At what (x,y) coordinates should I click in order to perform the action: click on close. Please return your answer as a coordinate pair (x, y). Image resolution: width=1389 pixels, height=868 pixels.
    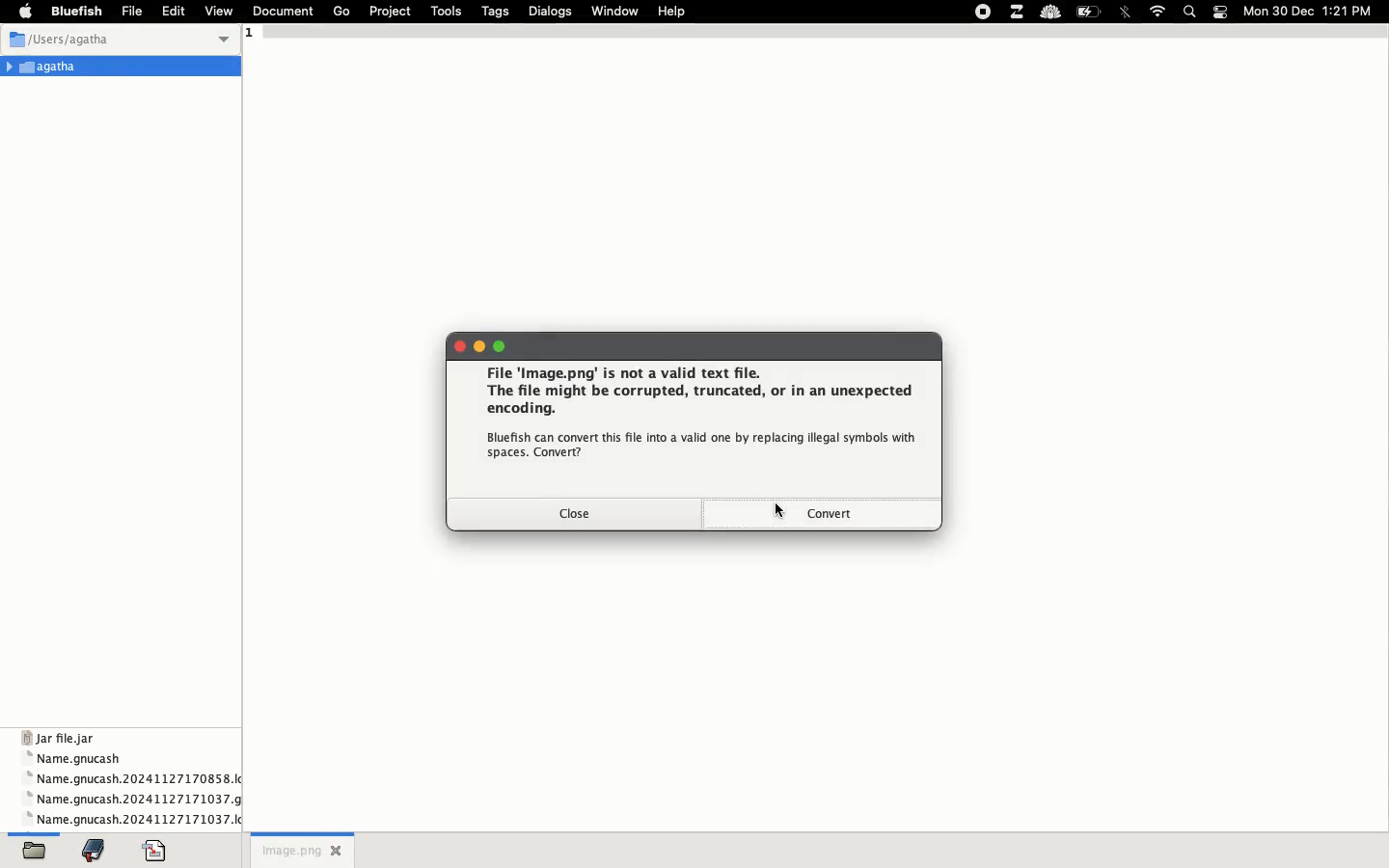
    Looking at the image, I should click on (333, 851).